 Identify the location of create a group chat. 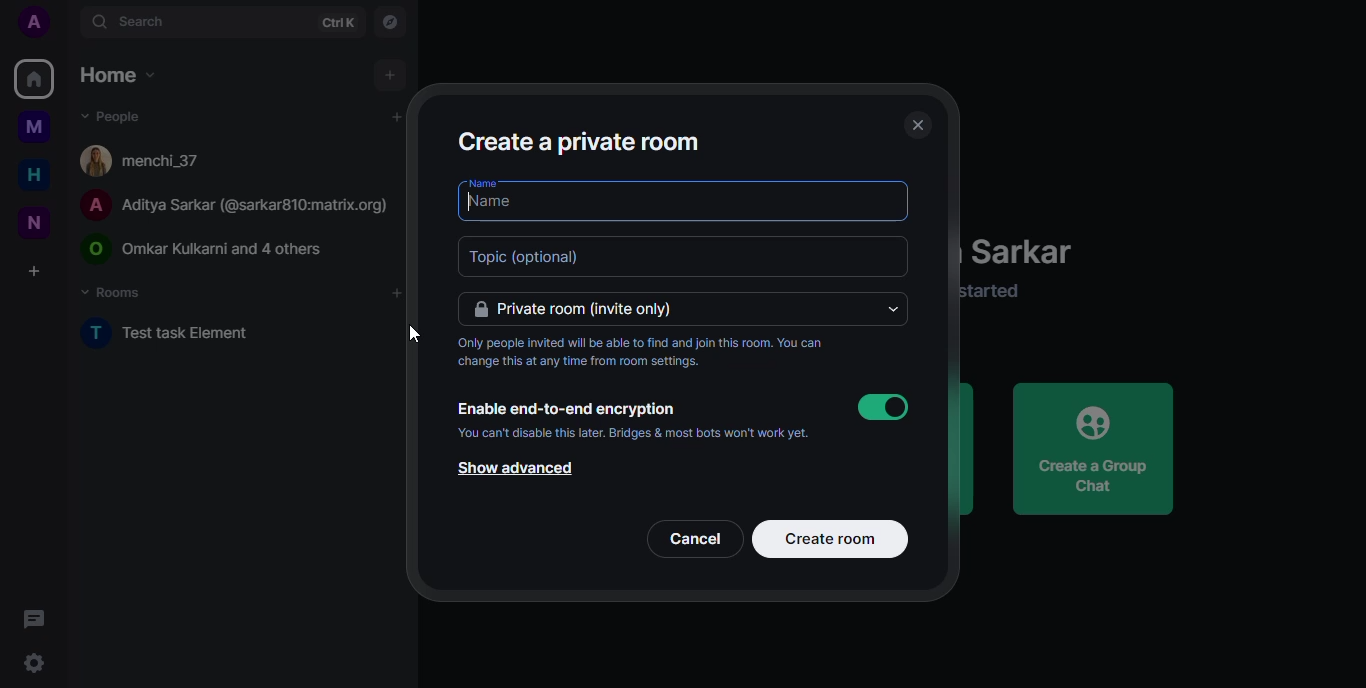
(1104, 452).